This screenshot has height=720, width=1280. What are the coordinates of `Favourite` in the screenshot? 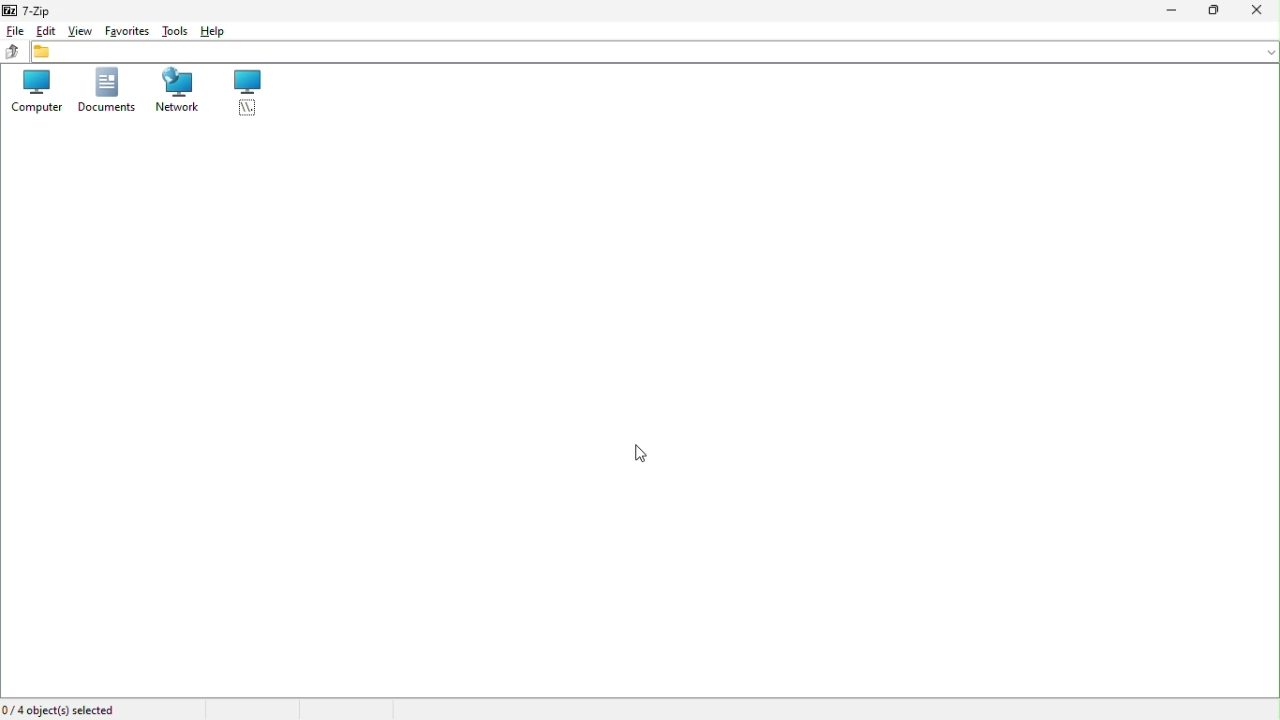 It's located at (129, 32).